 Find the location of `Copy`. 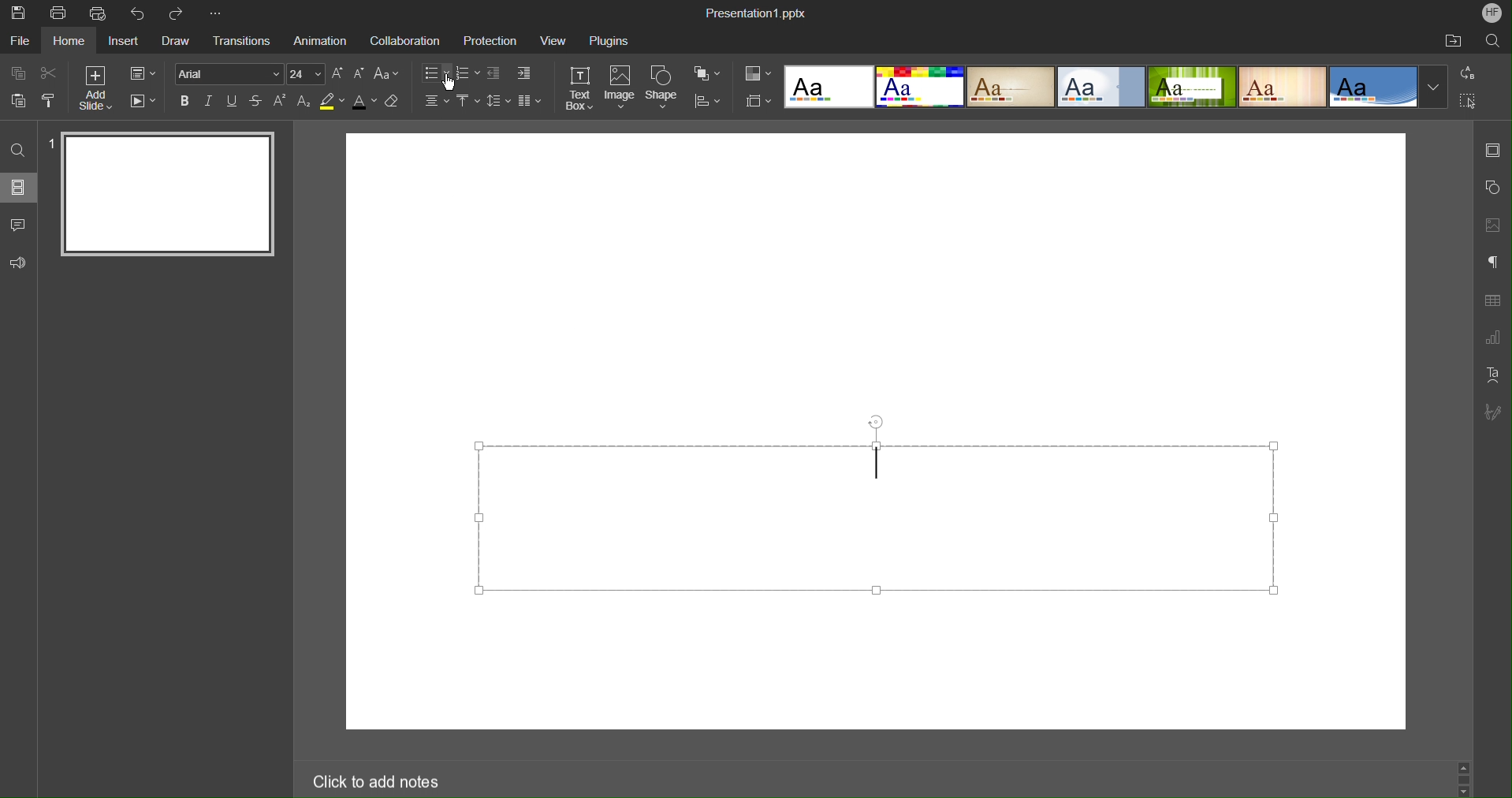

Copy is located at coordinates (16, 73).